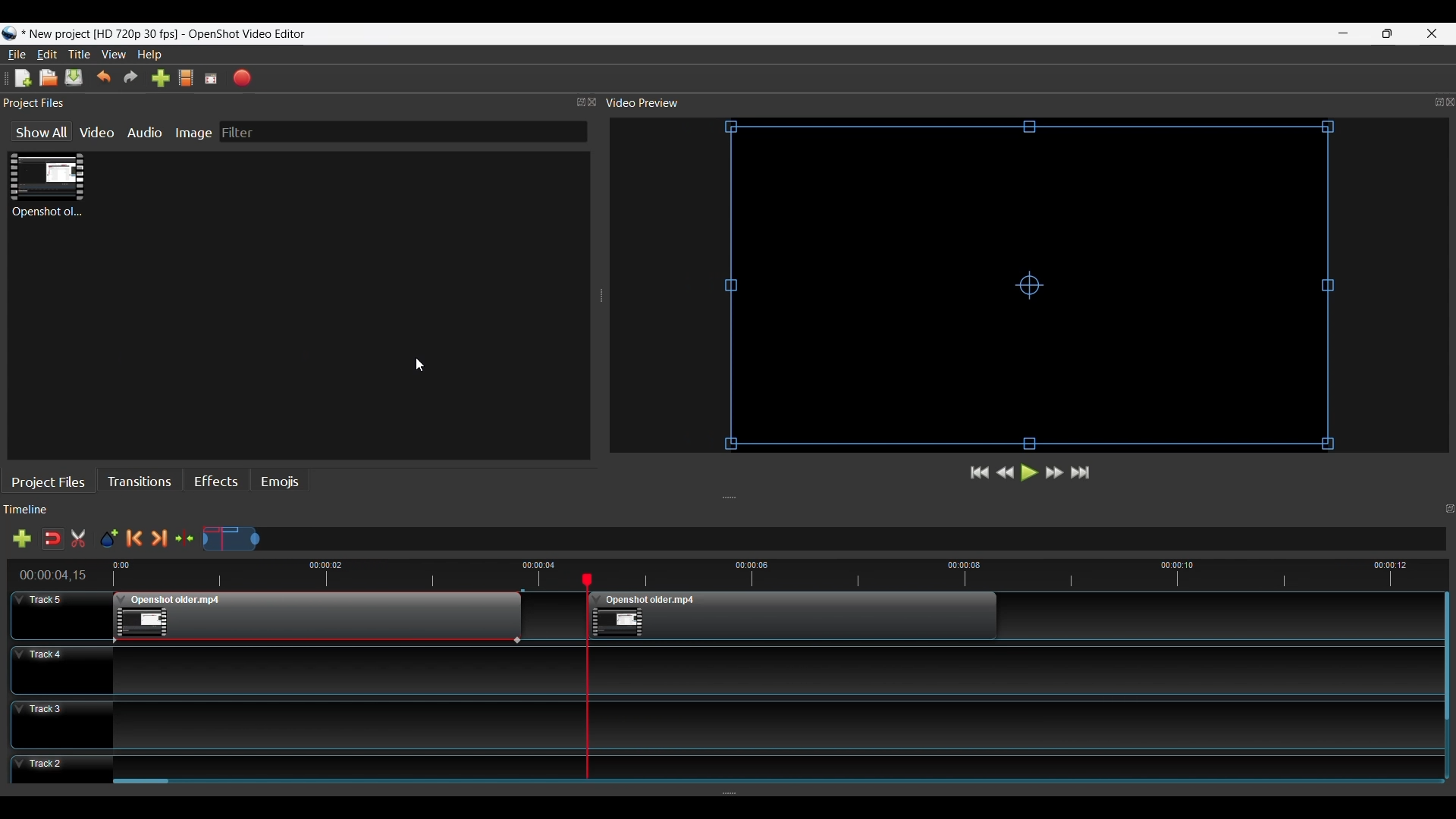  I want to click on minimize, so click(1344, 33).